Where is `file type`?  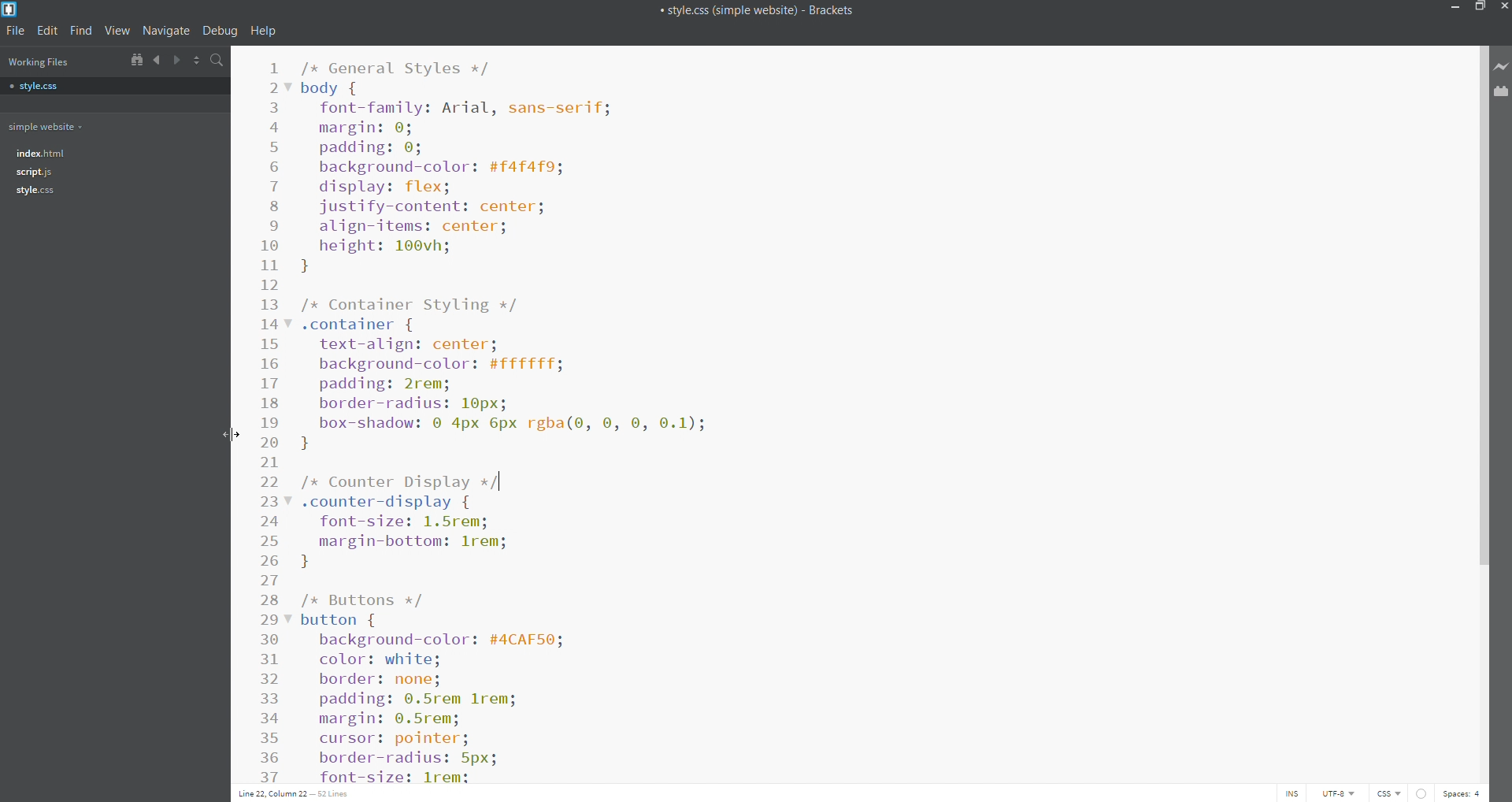 file type is located at coordinates (1391, 794).